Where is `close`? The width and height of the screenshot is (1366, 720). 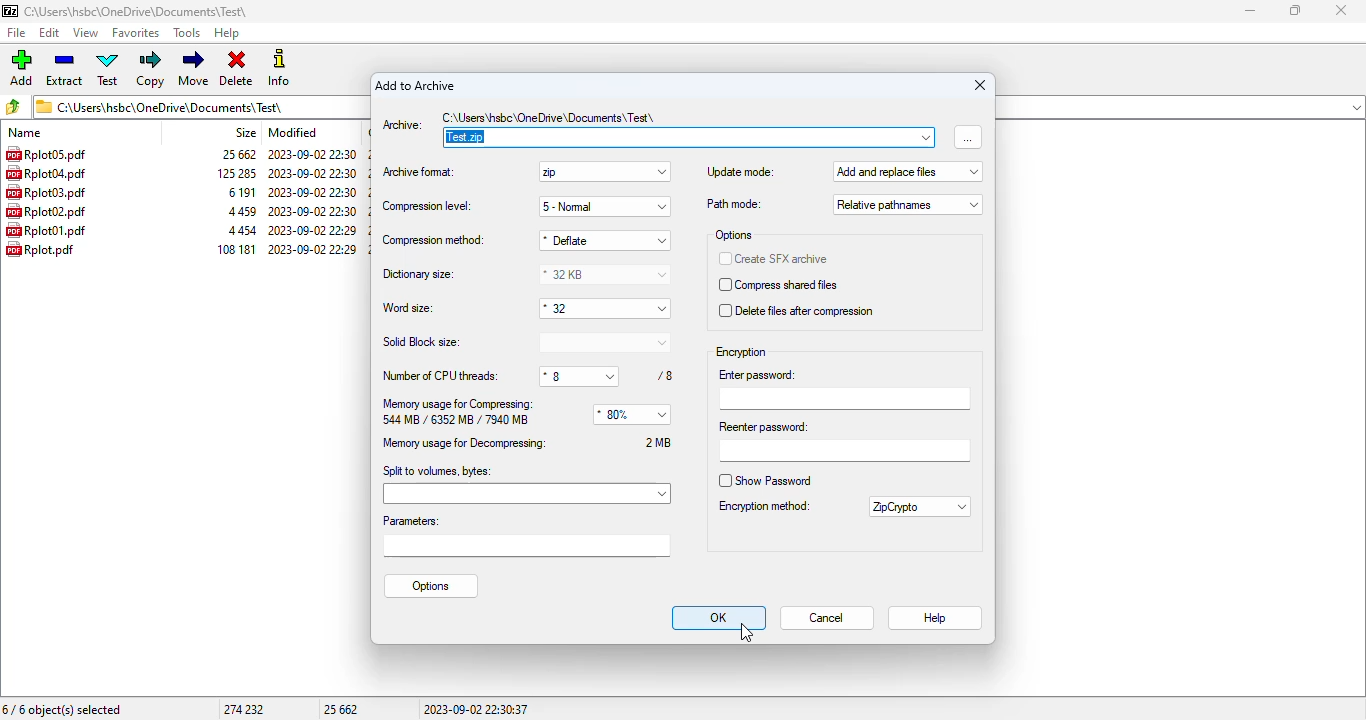 close is located at coordinates (1341, 10).